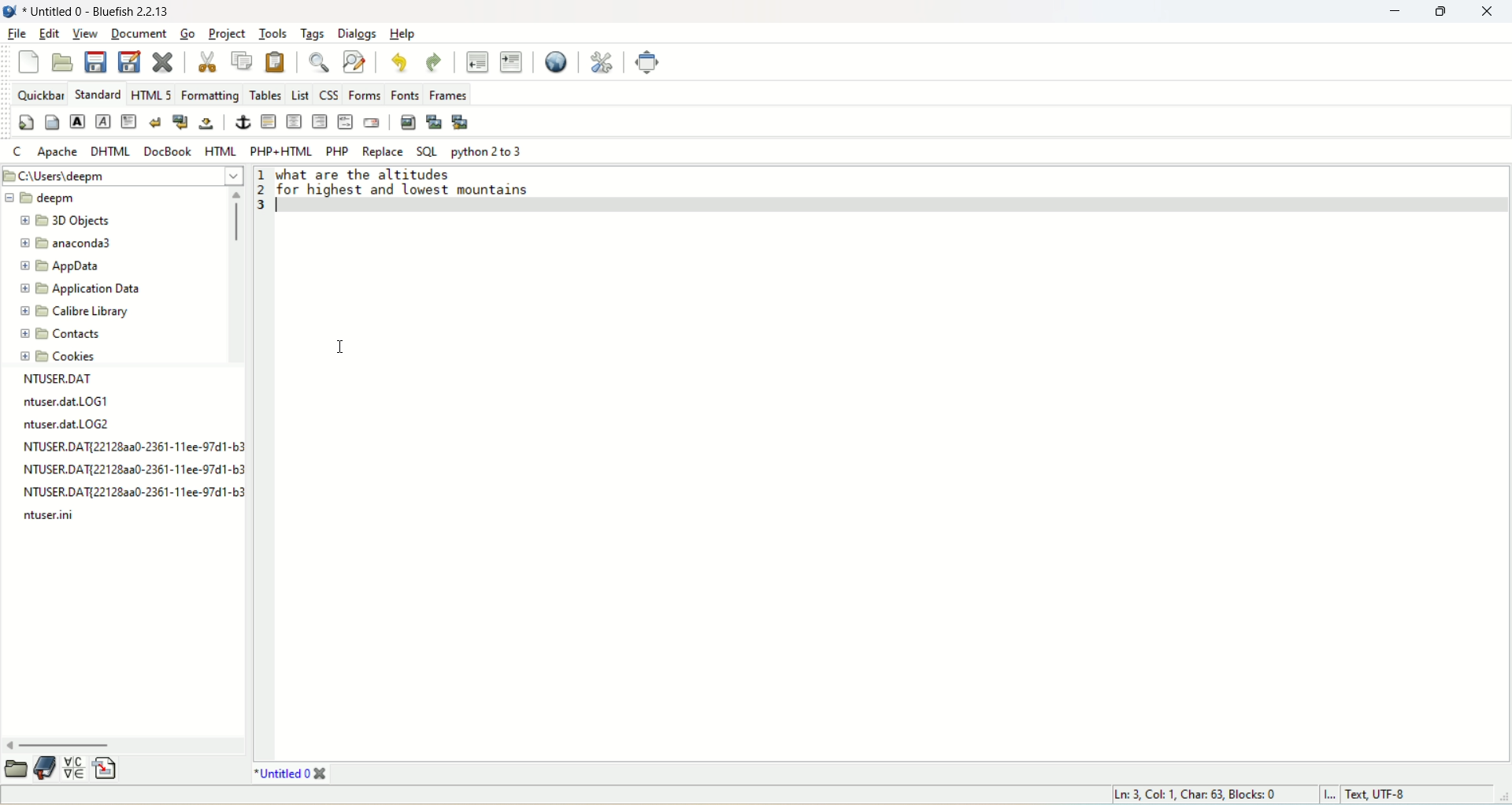 The height and width of the screenshot is (805, 1512). Describe the element at coordinates (558, 62) in the screenshot. I see `preview in browser` at that location.